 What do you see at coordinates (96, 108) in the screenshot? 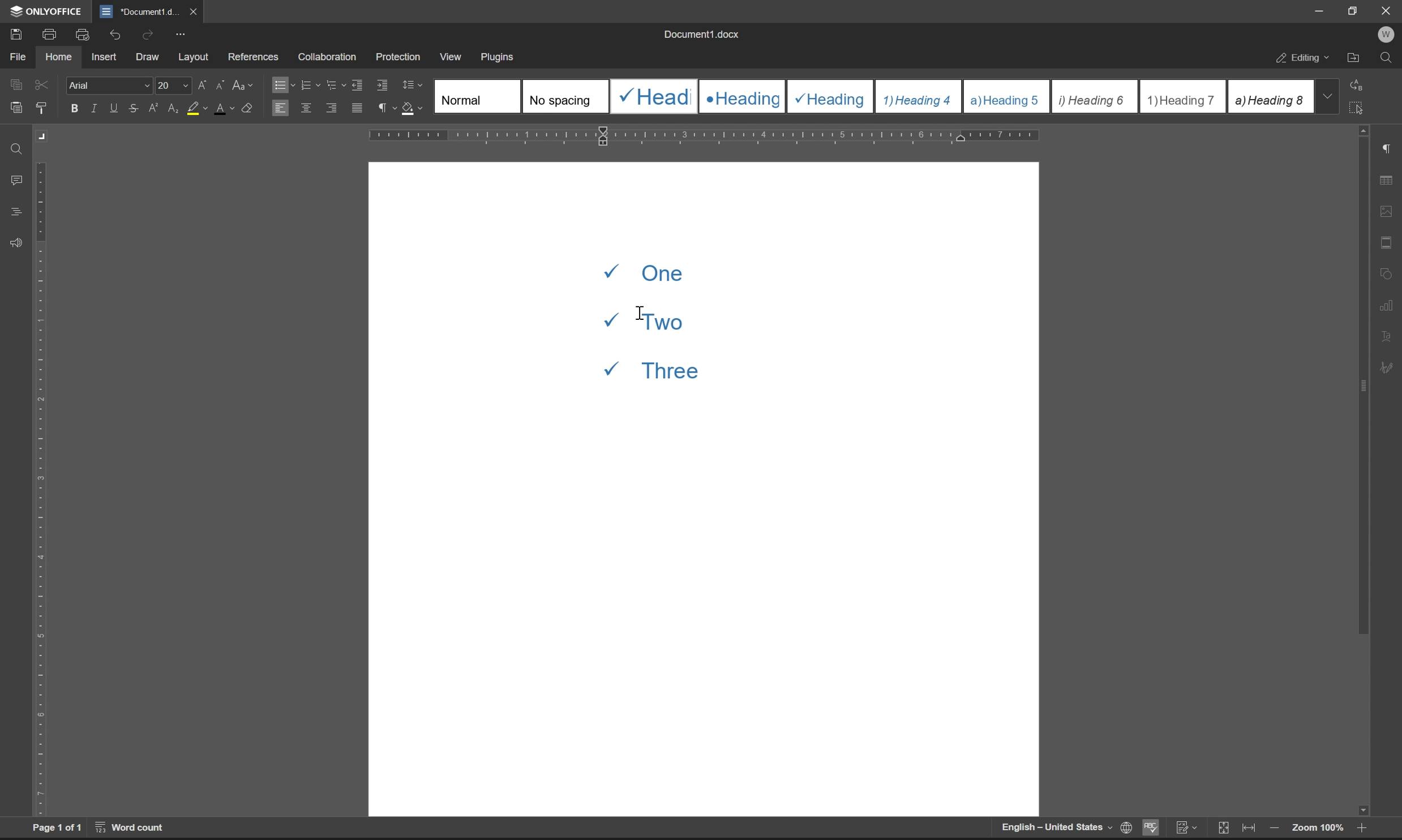
I see `italic` at bounding box center [96, 108].